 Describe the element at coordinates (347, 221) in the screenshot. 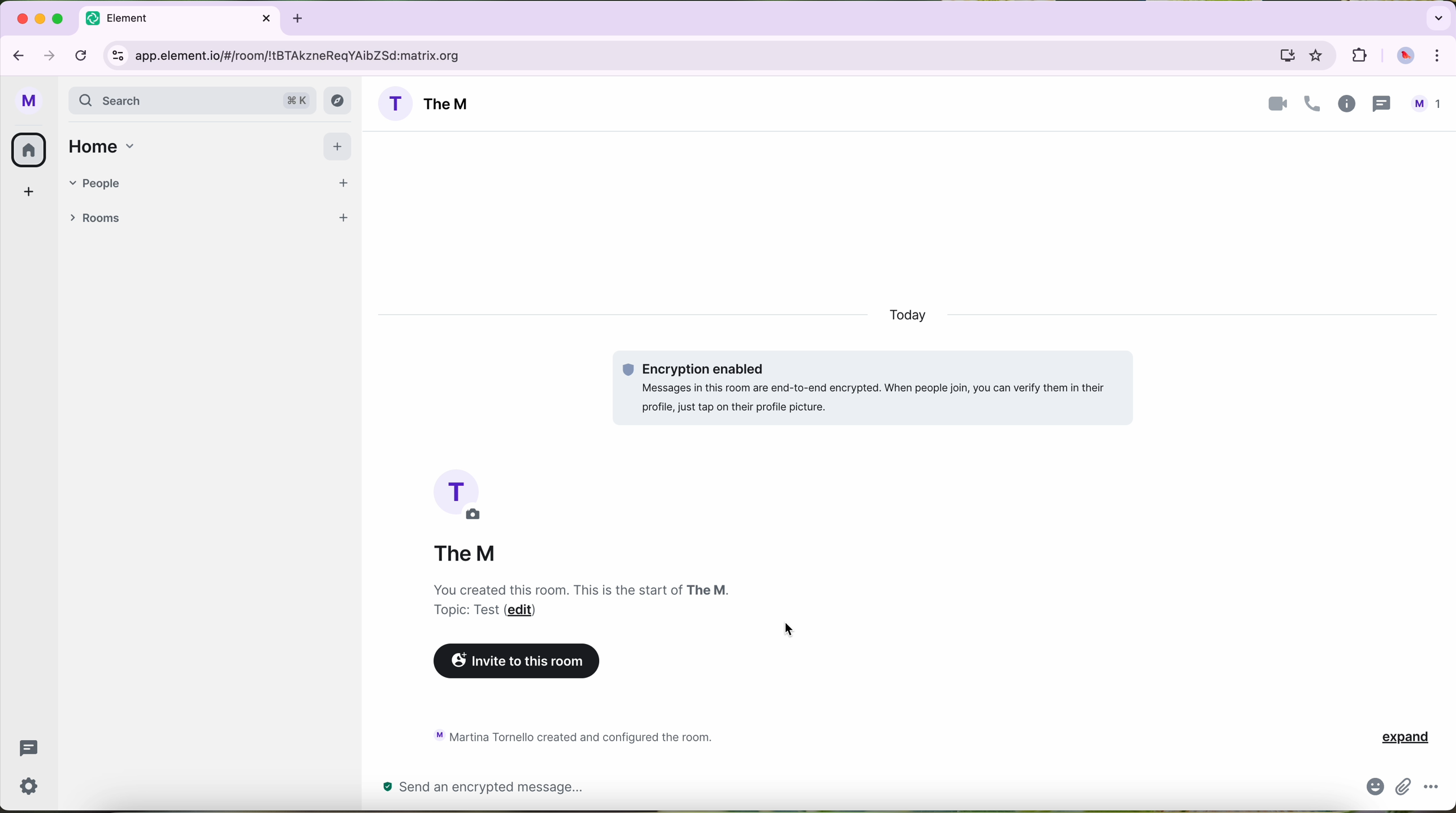

I see `add` at that location.